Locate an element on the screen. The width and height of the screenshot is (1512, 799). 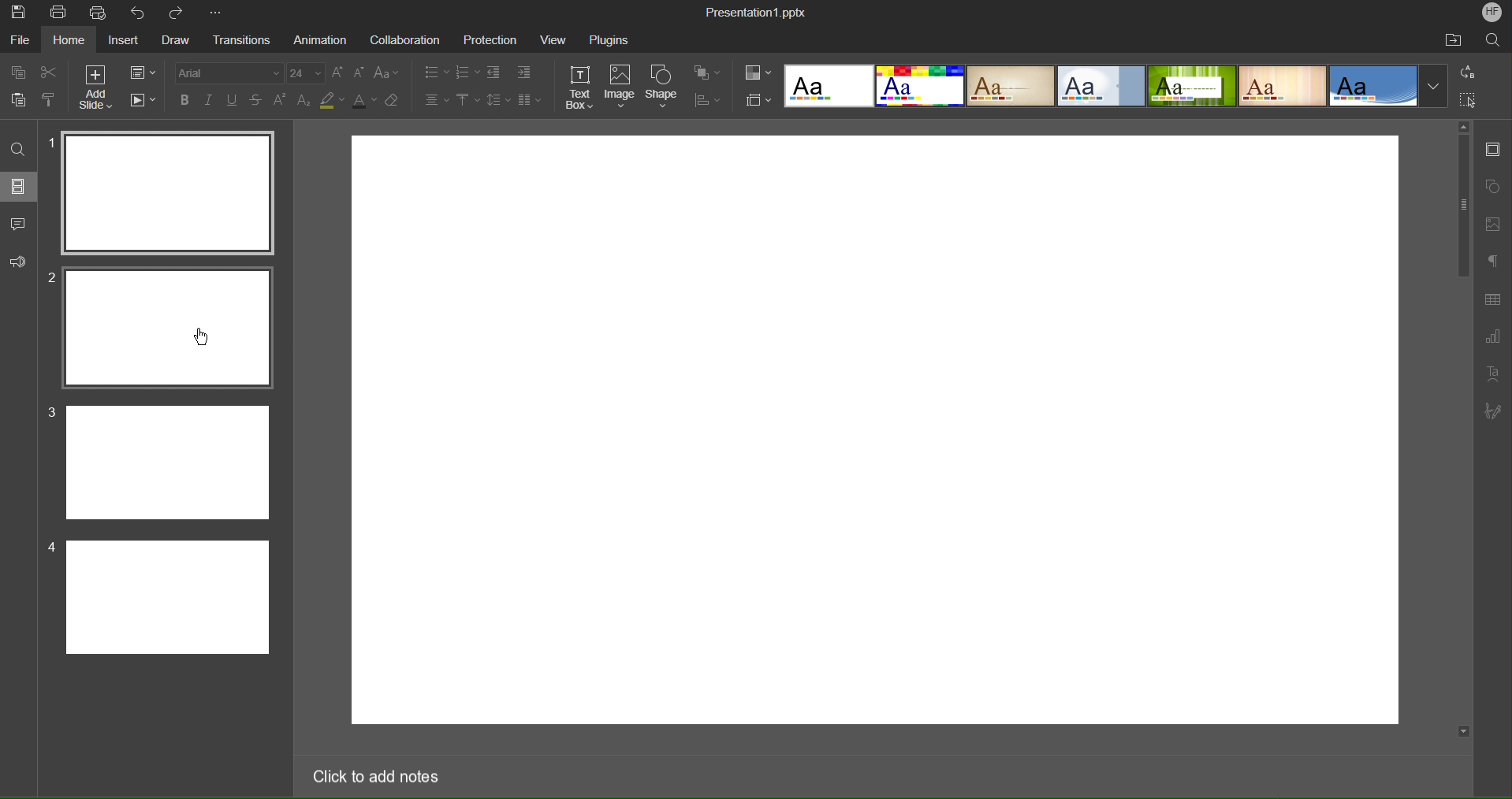
Image is located at coordinates (620, 88).